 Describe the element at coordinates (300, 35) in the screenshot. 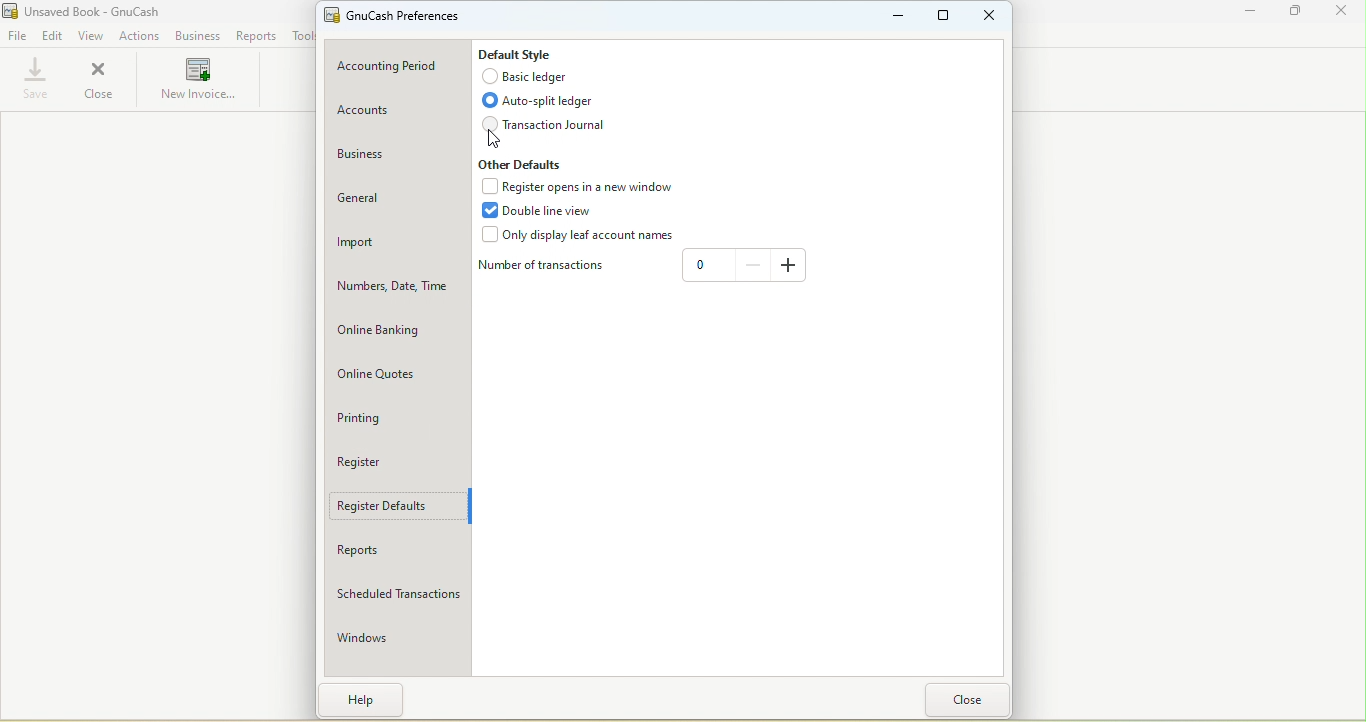

I see `Tools` at that location.